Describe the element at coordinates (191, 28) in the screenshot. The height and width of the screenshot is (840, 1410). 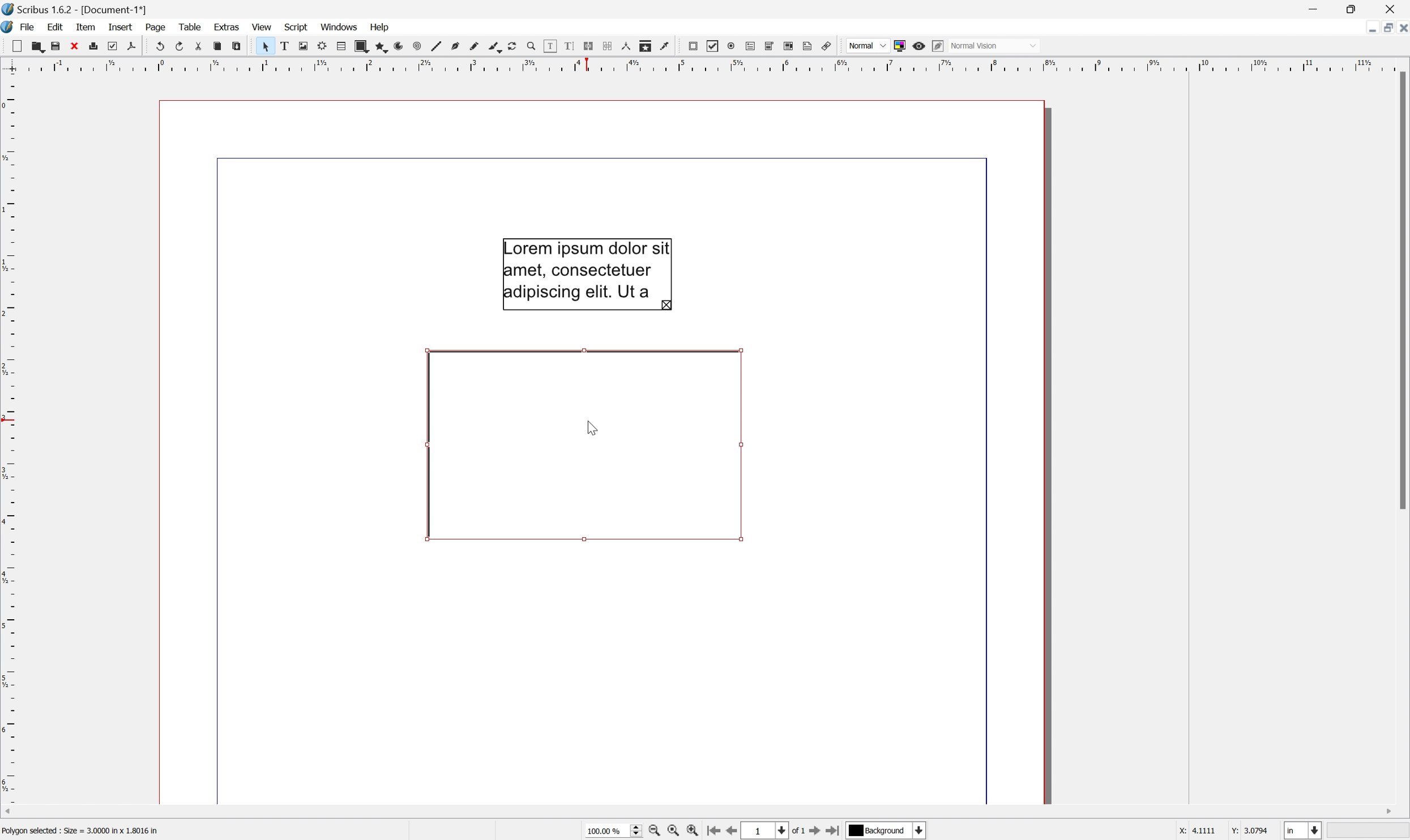
I see `Table` at that location.